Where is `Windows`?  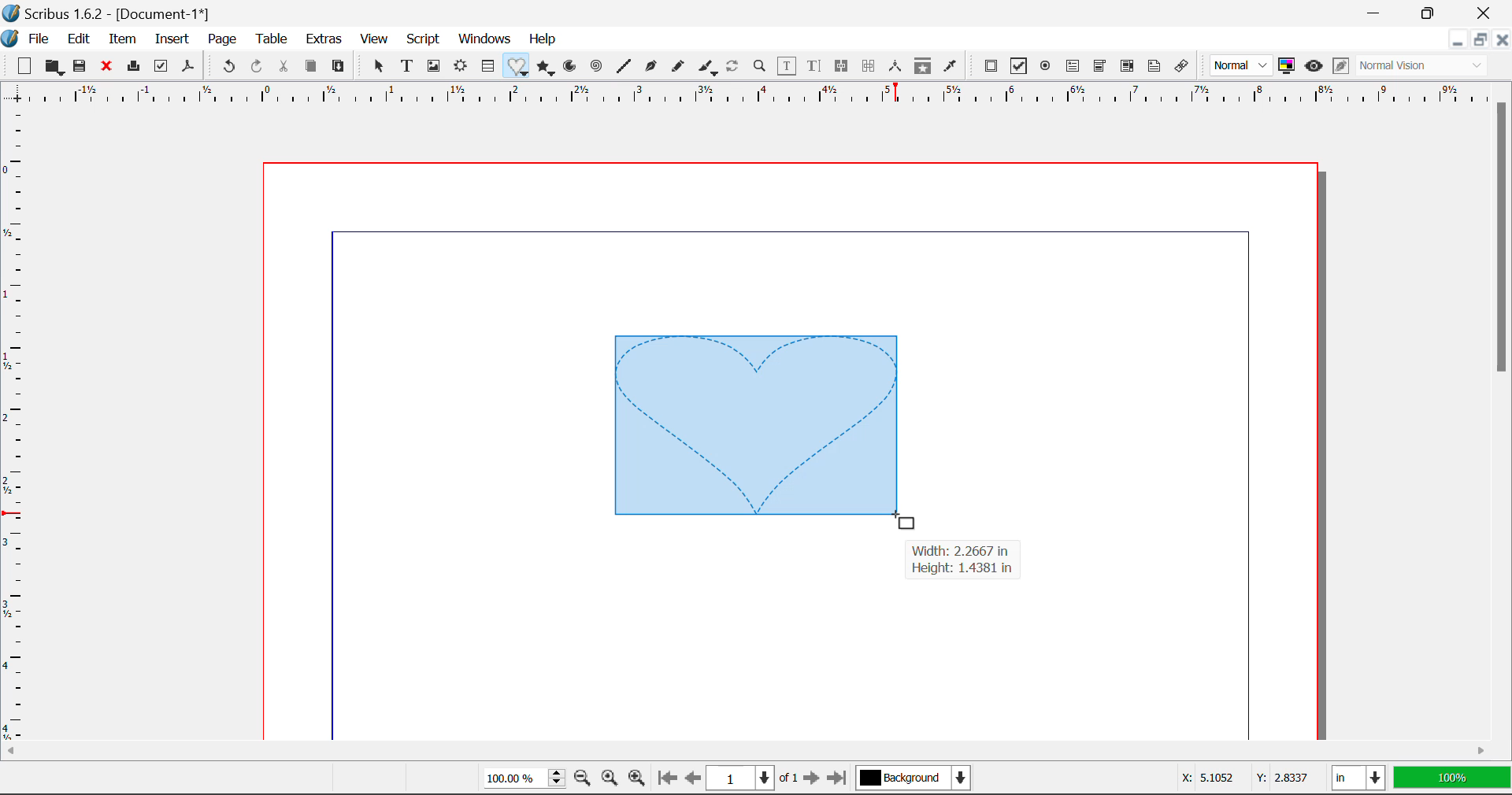
Windows is located at coordinates (485, 39).